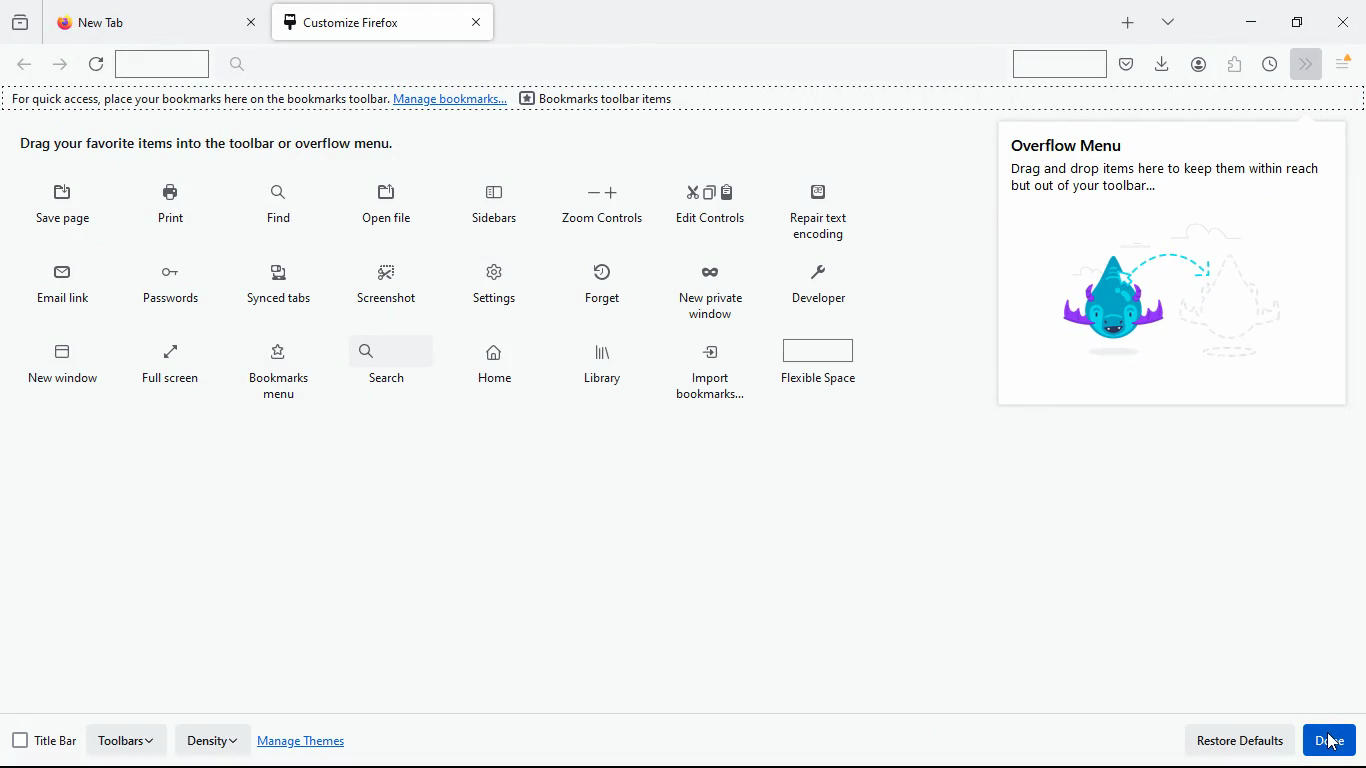  What do you see at coordinates (385, 206) in the screenshot?
I see `find` at bounding box center [385, 206].